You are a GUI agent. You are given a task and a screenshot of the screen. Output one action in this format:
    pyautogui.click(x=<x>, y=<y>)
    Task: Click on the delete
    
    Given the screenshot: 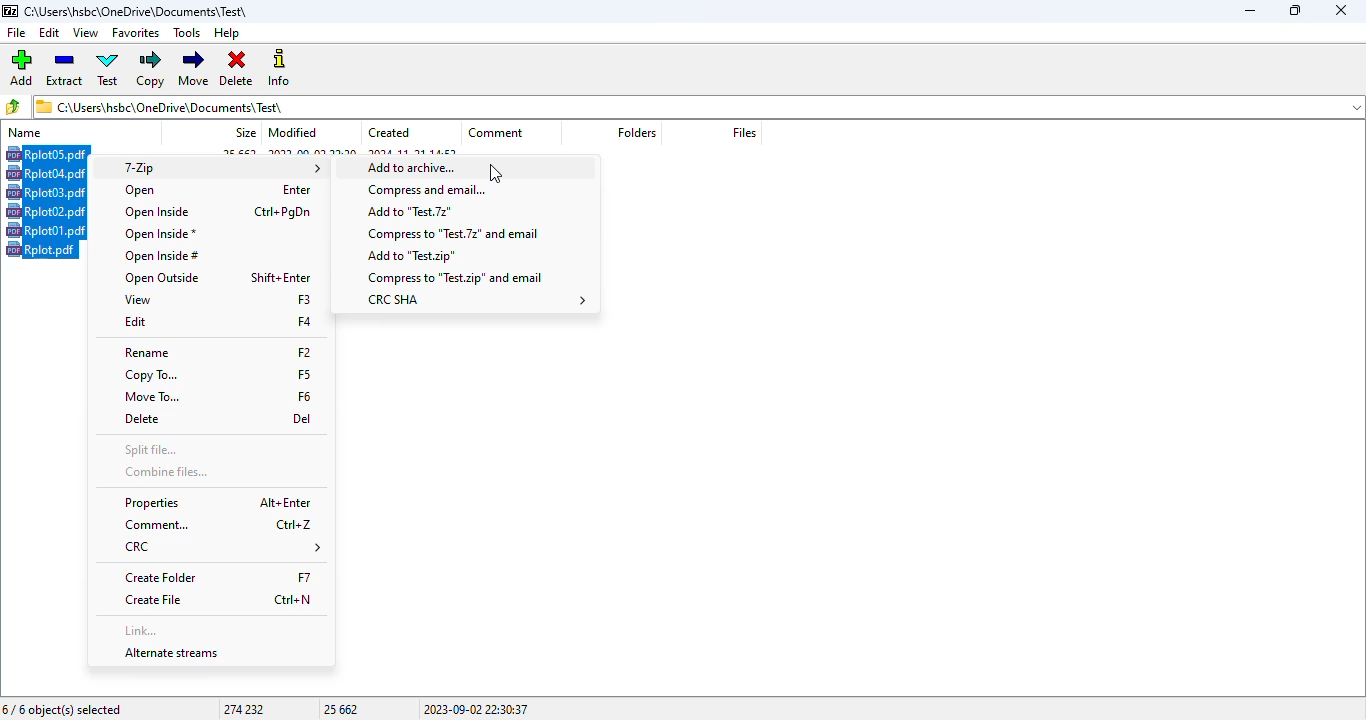 What is the action you would take?
    pyautogui.click(x=238, y=69)
    